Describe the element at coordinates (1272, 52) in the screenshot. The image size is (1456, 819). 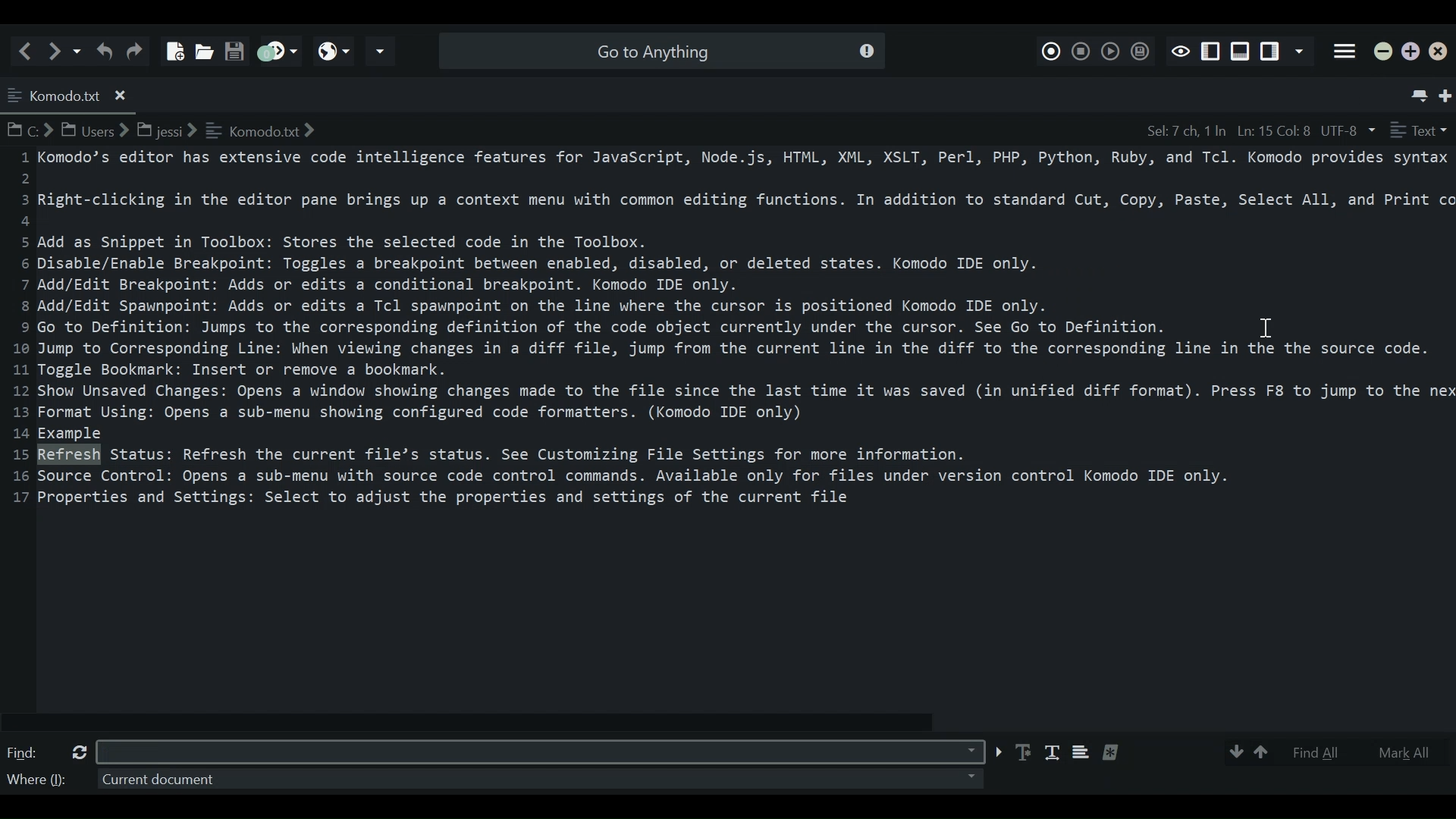
I see `Show/Hide Left Pane ` at that location.